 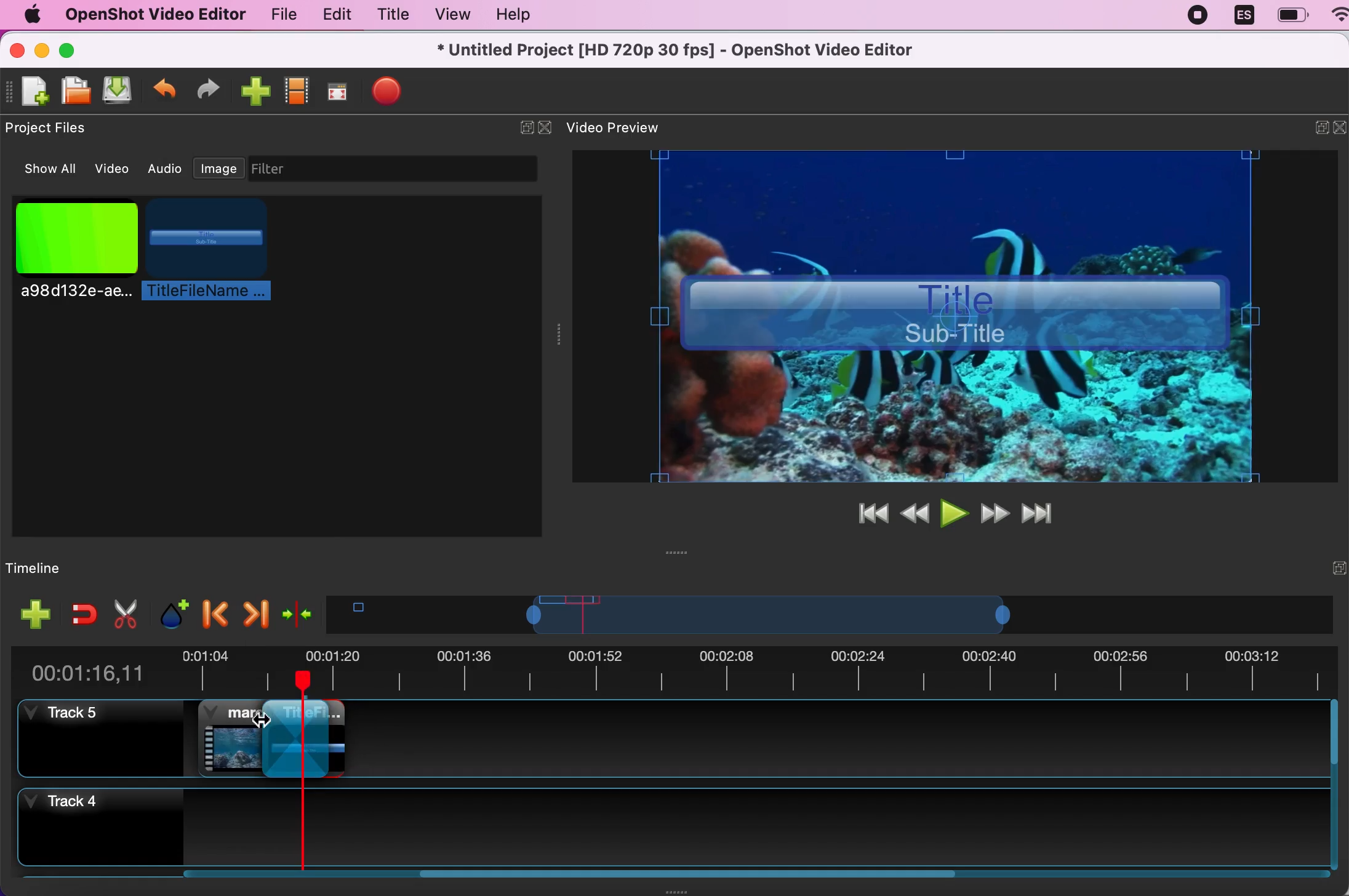 I want to click on mac logo, so click(x=31, y=14).